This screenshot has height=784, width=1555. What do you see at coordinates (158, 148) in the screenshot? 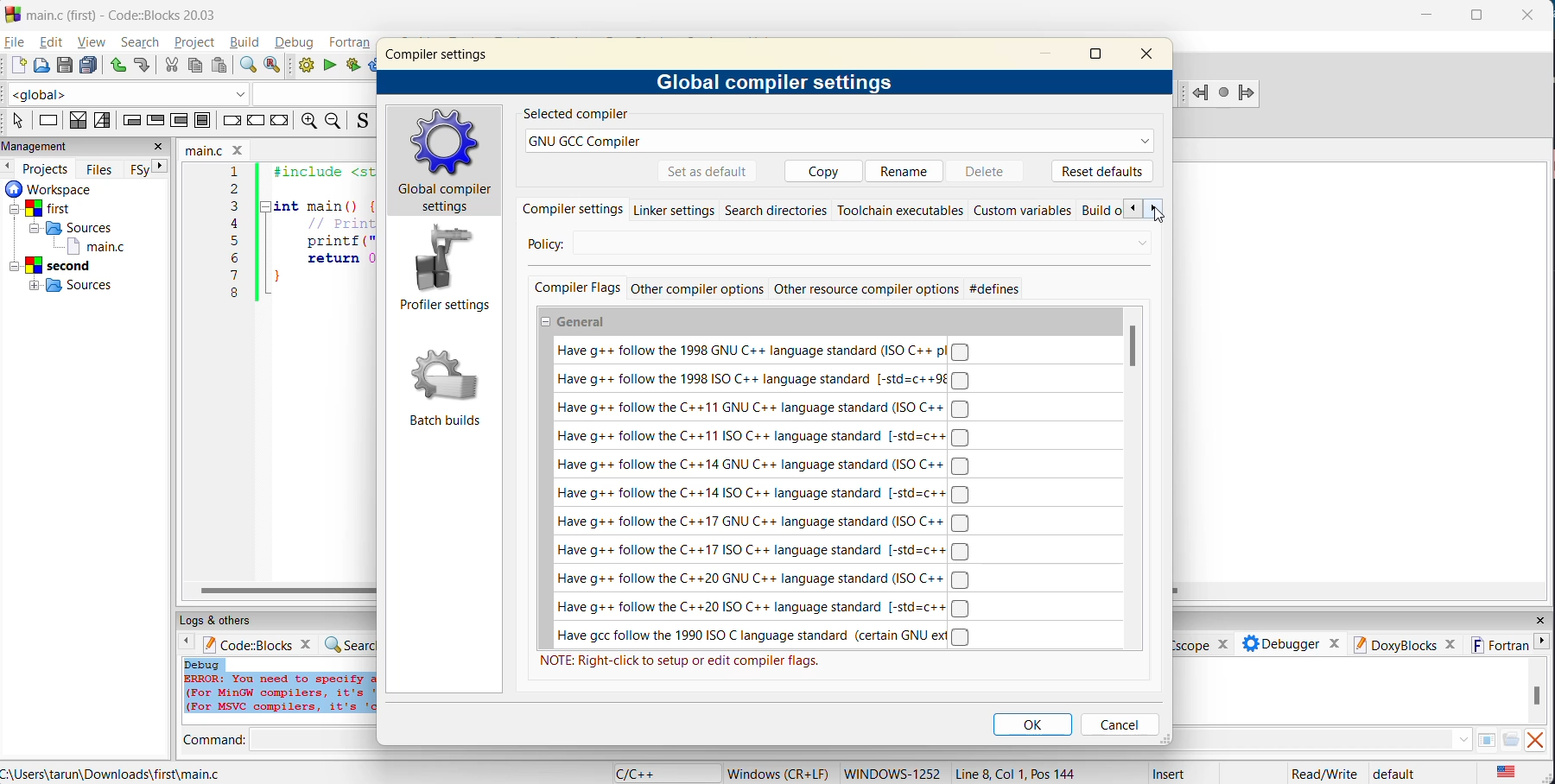
I see `close` at bounding box center [158, 148].